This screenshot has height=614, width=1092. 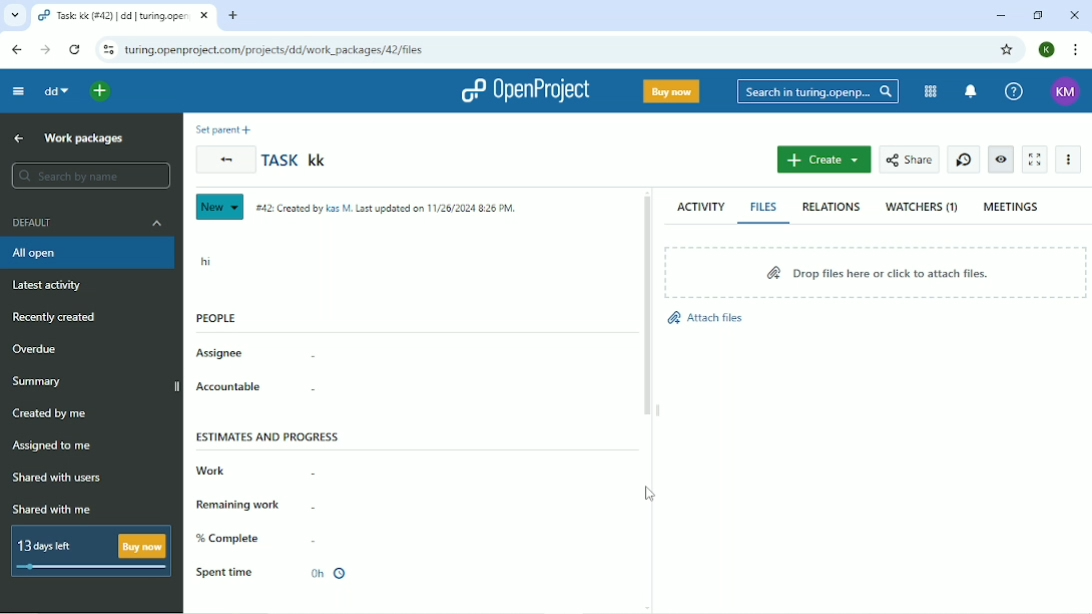 I want to click on Work, so click(x=210, y=469).